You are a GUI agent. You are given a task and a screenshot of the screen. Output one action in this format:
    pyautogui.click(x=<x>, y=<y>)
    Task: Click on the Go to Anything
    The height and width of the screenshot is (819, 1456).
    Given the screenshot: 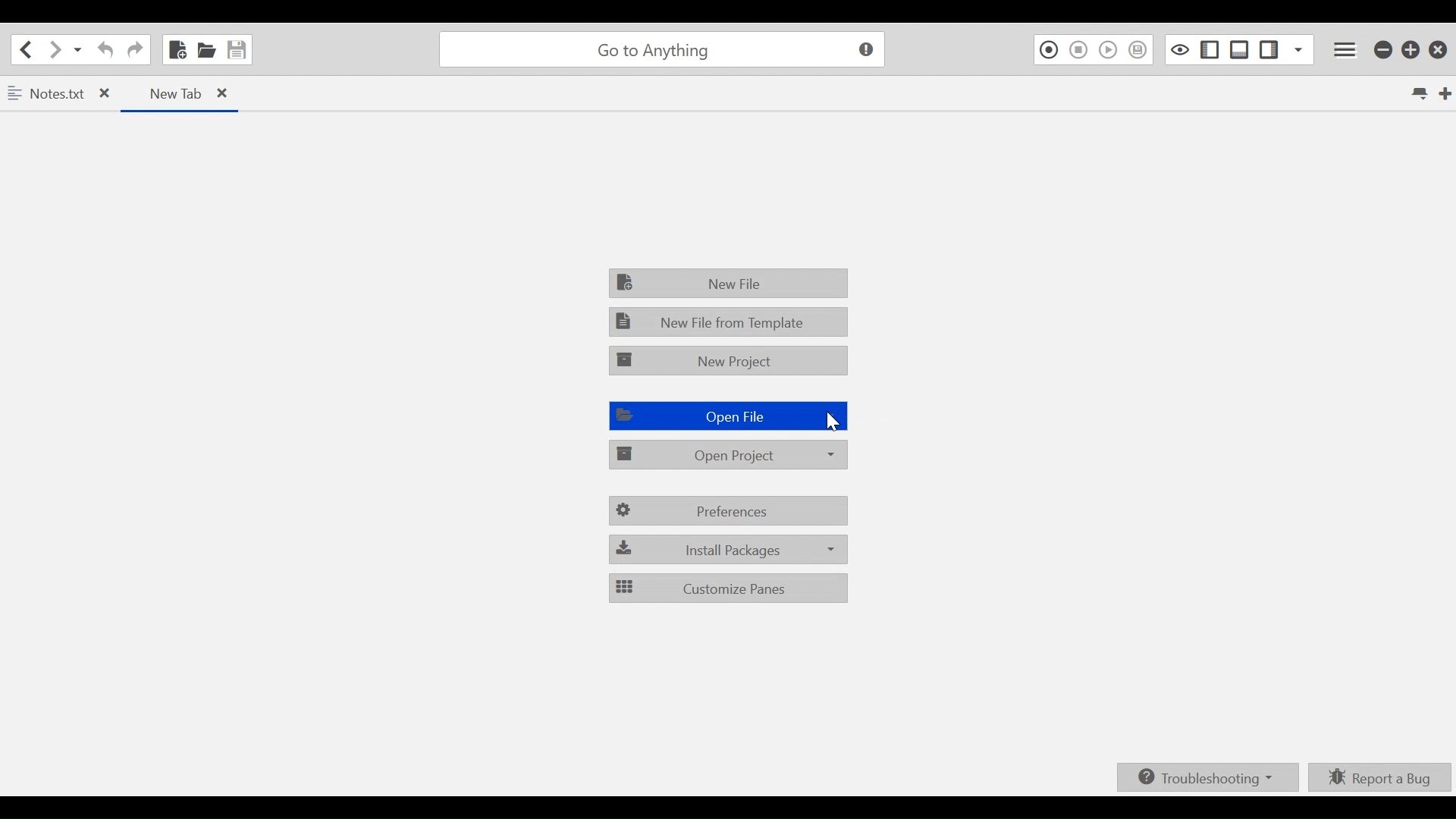 What is the action you would take?
    pyautogui.click(x=666, y=50)
    